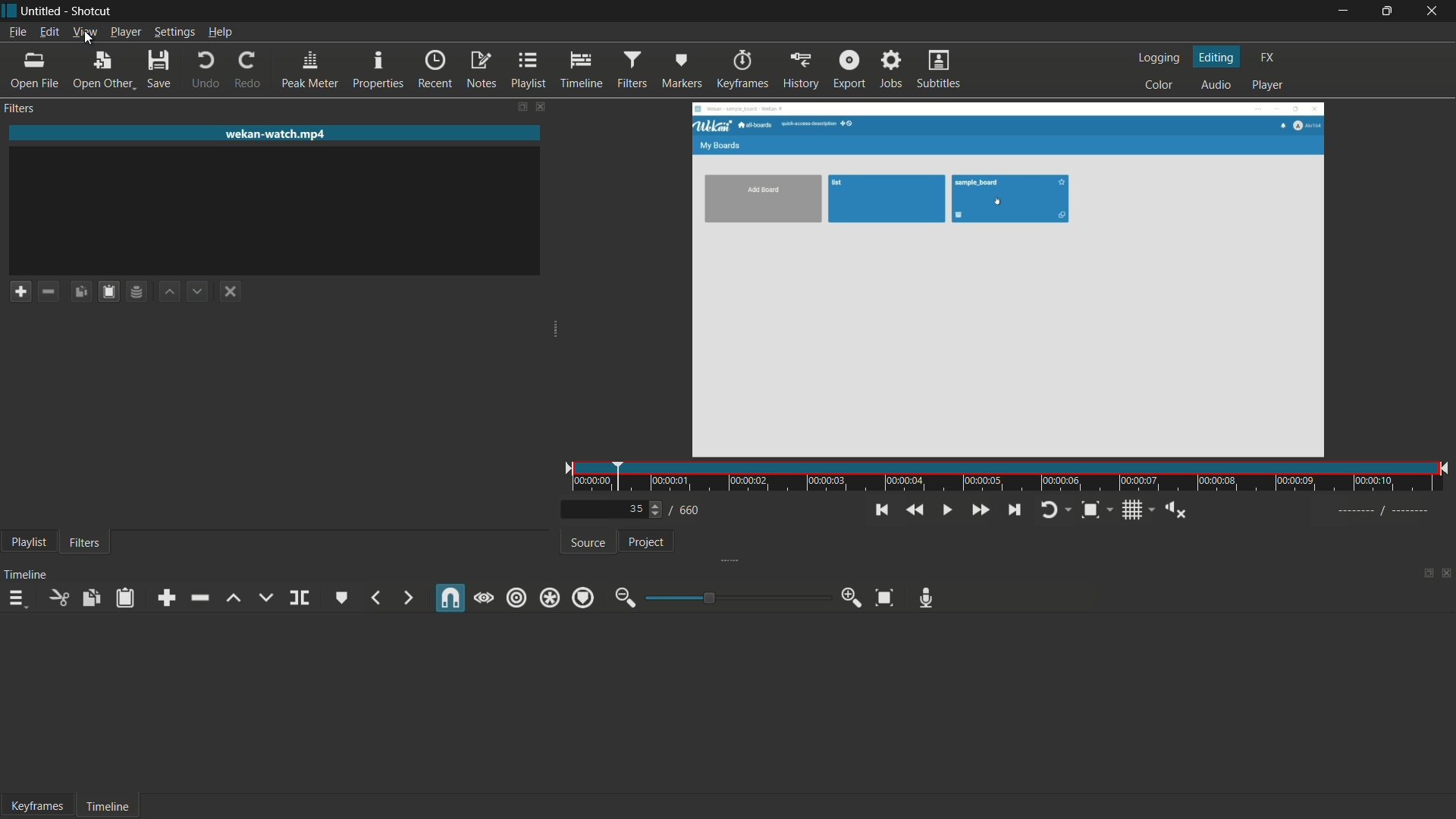 The height and width of the screenshot is (819, 1456). I want to click on help menu, so click(221, 32).